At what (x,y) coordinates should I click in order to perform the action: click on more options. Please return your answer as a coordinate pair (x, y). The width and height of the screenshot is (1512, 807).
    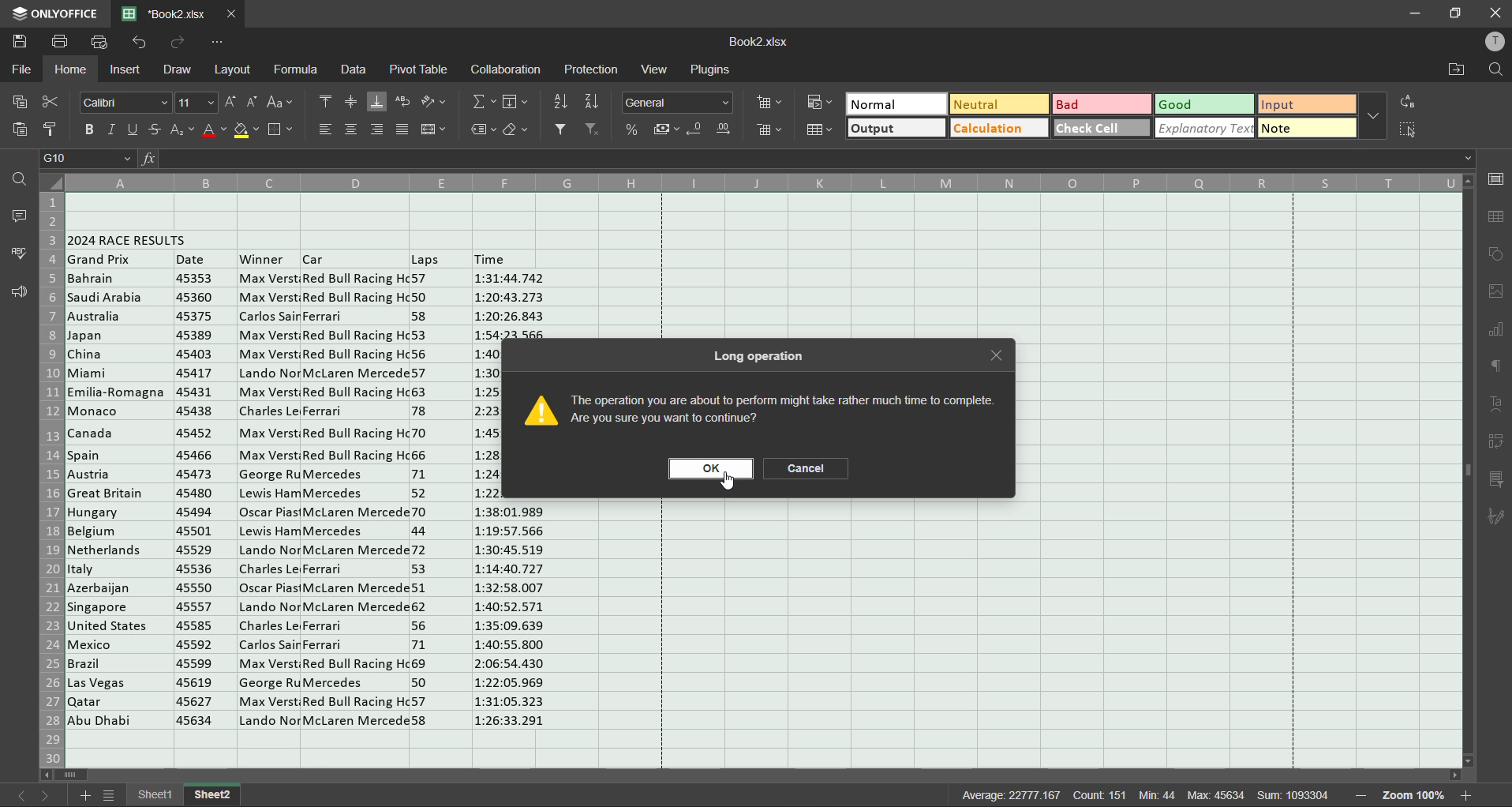
    Looking at the image, I should click on (1373, 116).